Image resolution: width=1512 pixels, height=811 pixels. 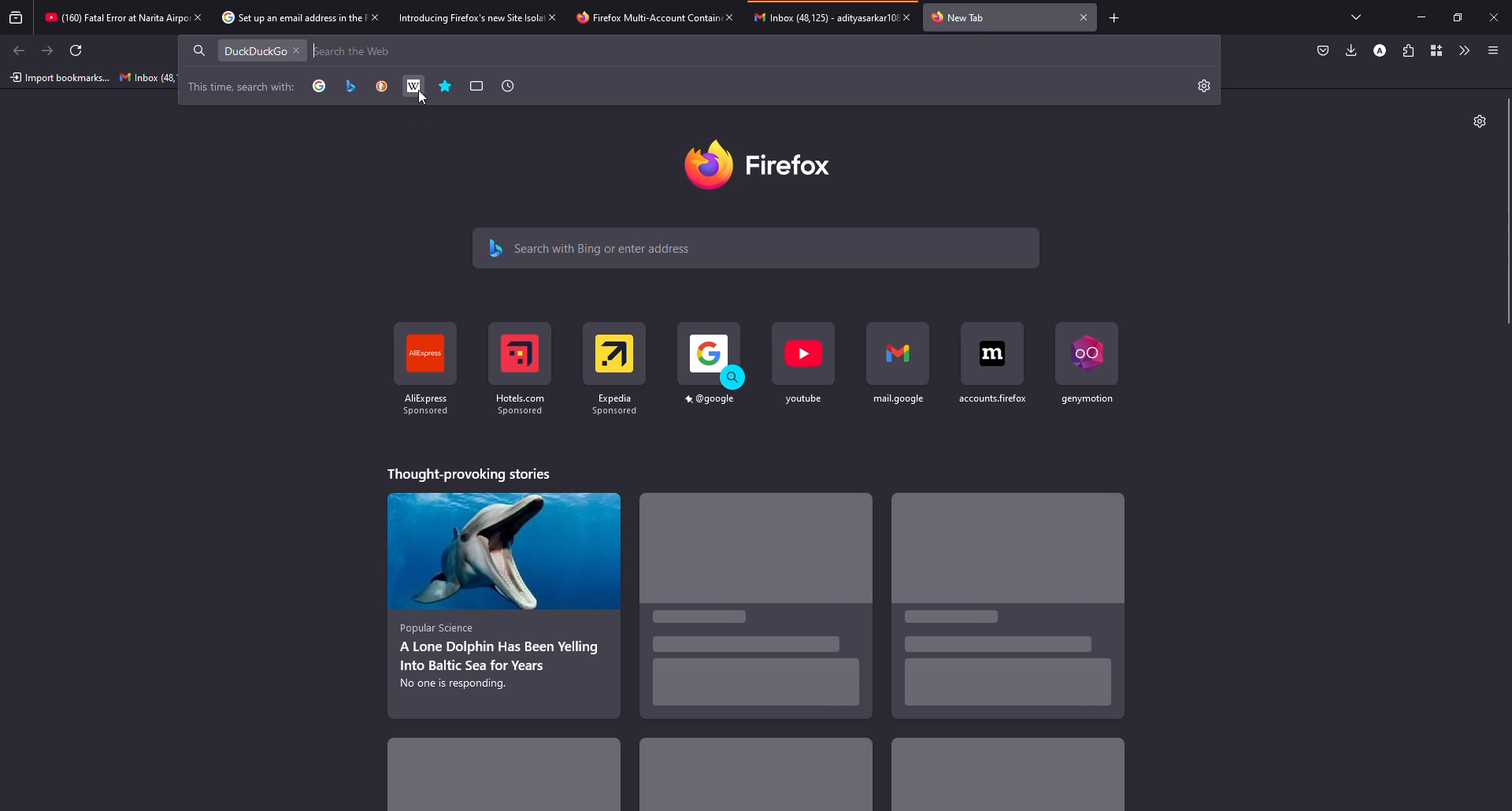 I want to click on search, so click(x=608, y=247).